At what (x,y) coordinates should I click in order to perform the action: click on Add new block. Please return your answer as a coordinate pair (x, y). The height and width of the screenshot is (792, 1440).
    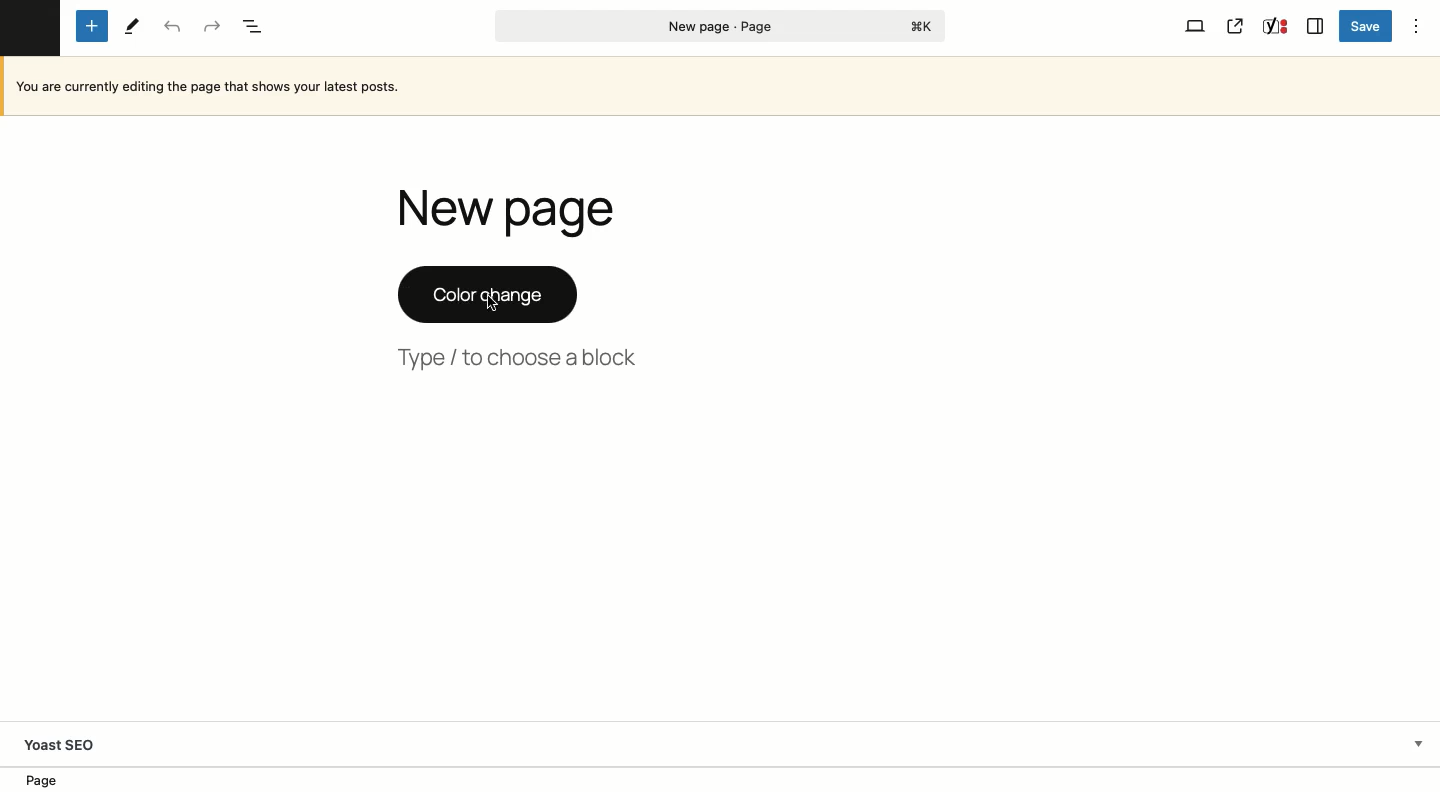
    Looking at the image, I should click on (95, 27).